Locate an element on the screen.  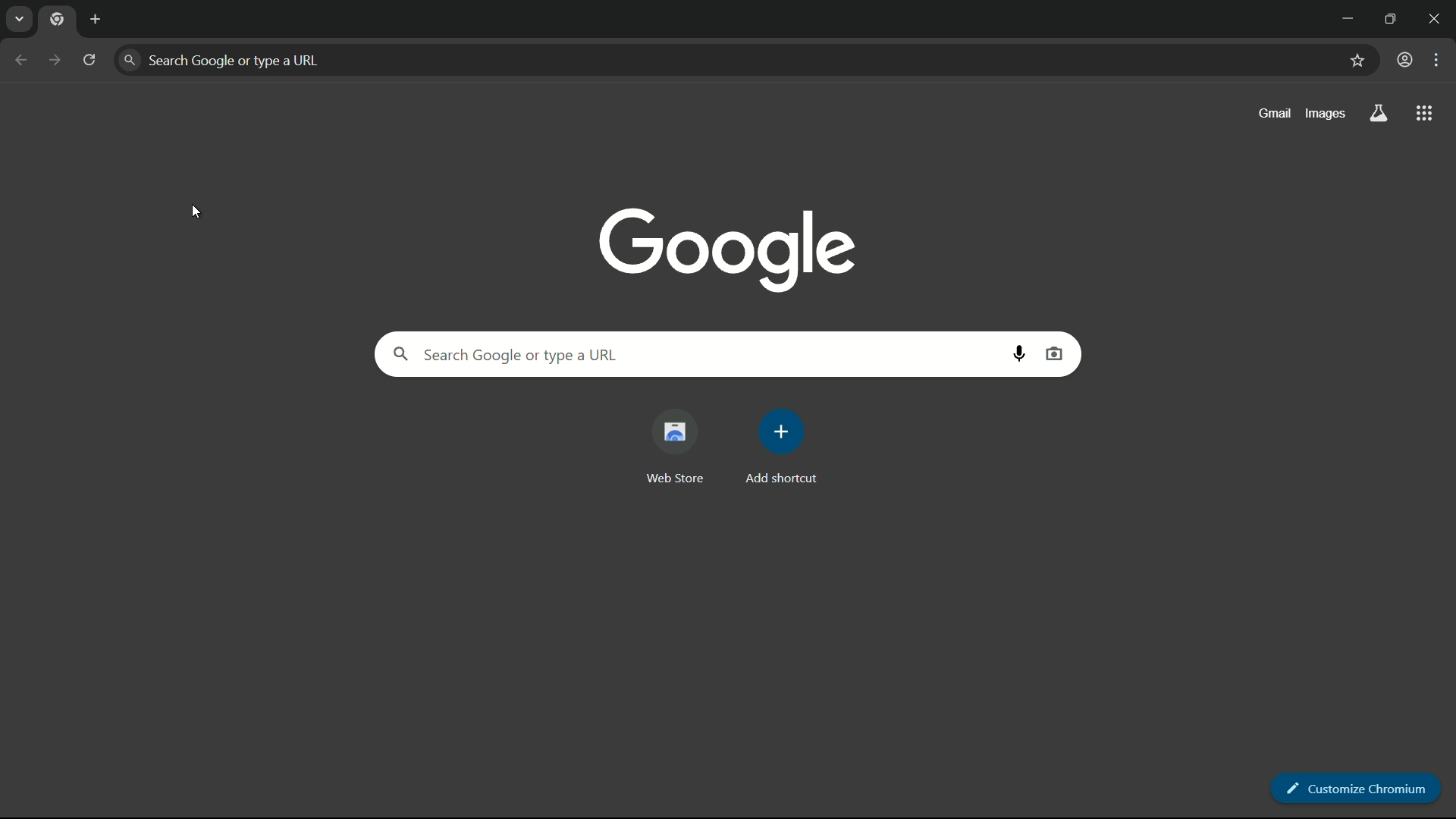
search by voice is located at coordinates (1023, 356).